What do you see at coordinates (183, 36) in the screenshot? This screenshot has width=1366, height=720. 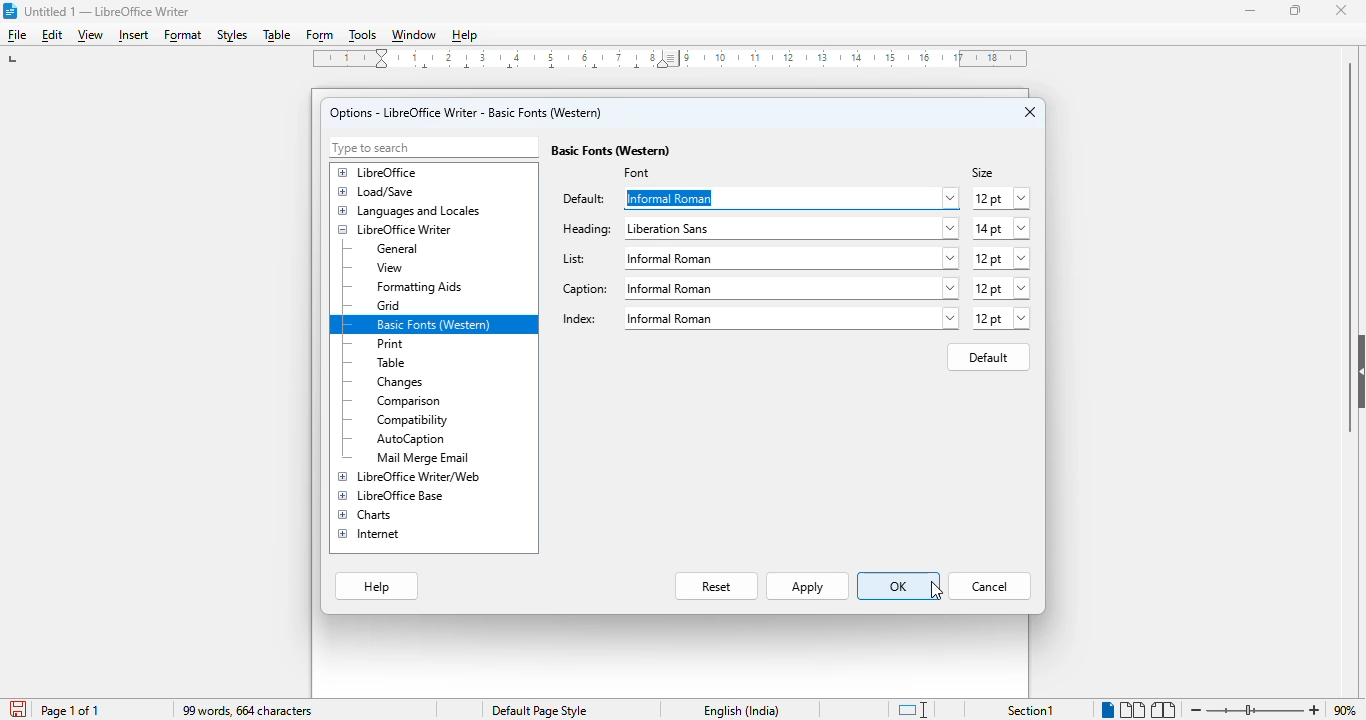 I see `format` at bounding box center [183, 36].